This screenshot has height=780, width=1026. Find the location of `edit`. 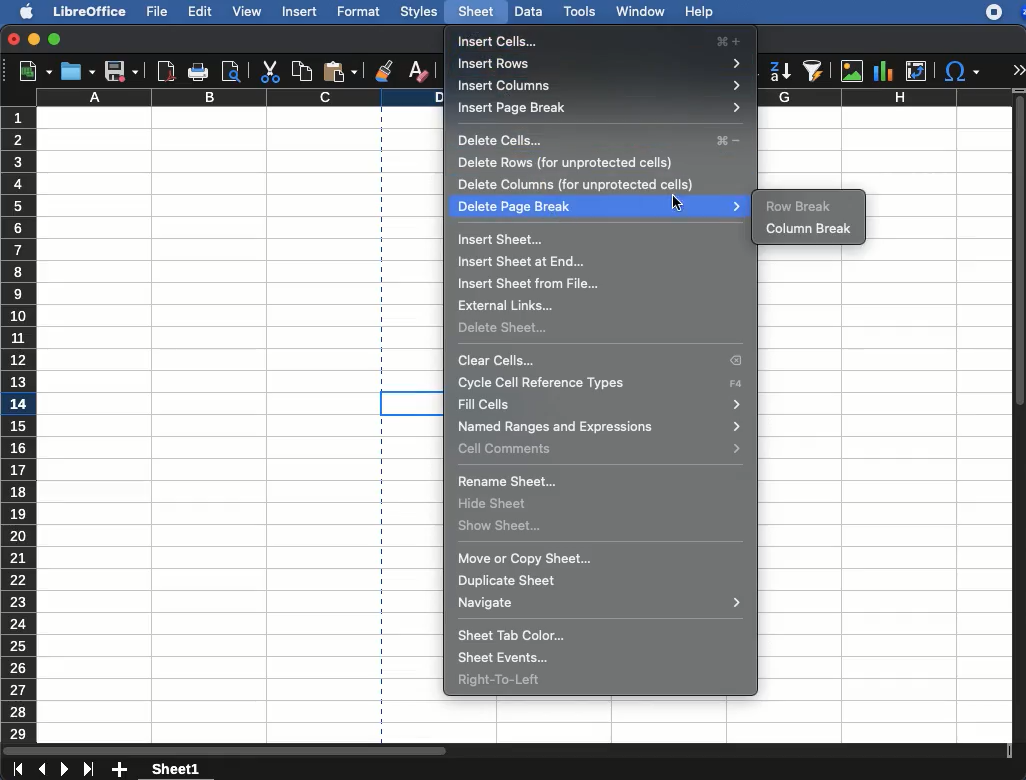

edit is located at coordinates (199, 12).